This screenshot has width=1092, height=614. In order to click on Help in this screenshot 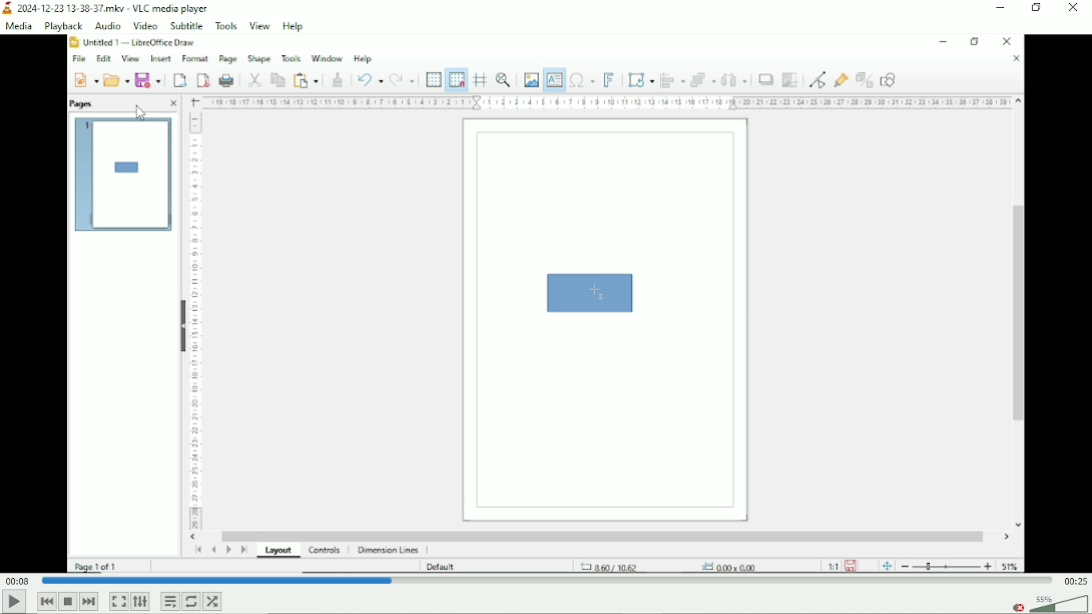, I will do `click(295, 26)`.